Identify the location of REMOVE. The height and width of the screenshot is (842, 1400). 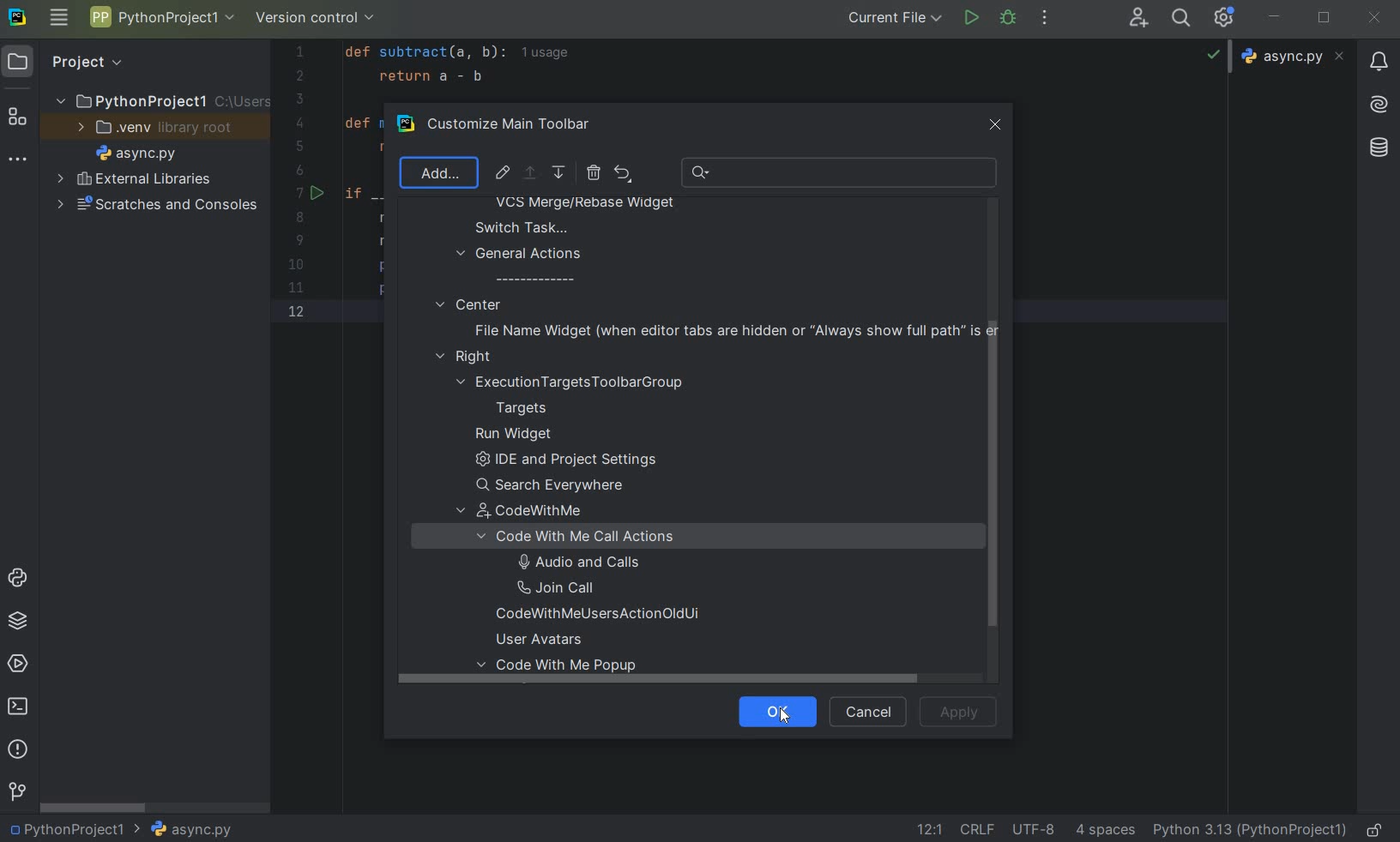
(593, 172).